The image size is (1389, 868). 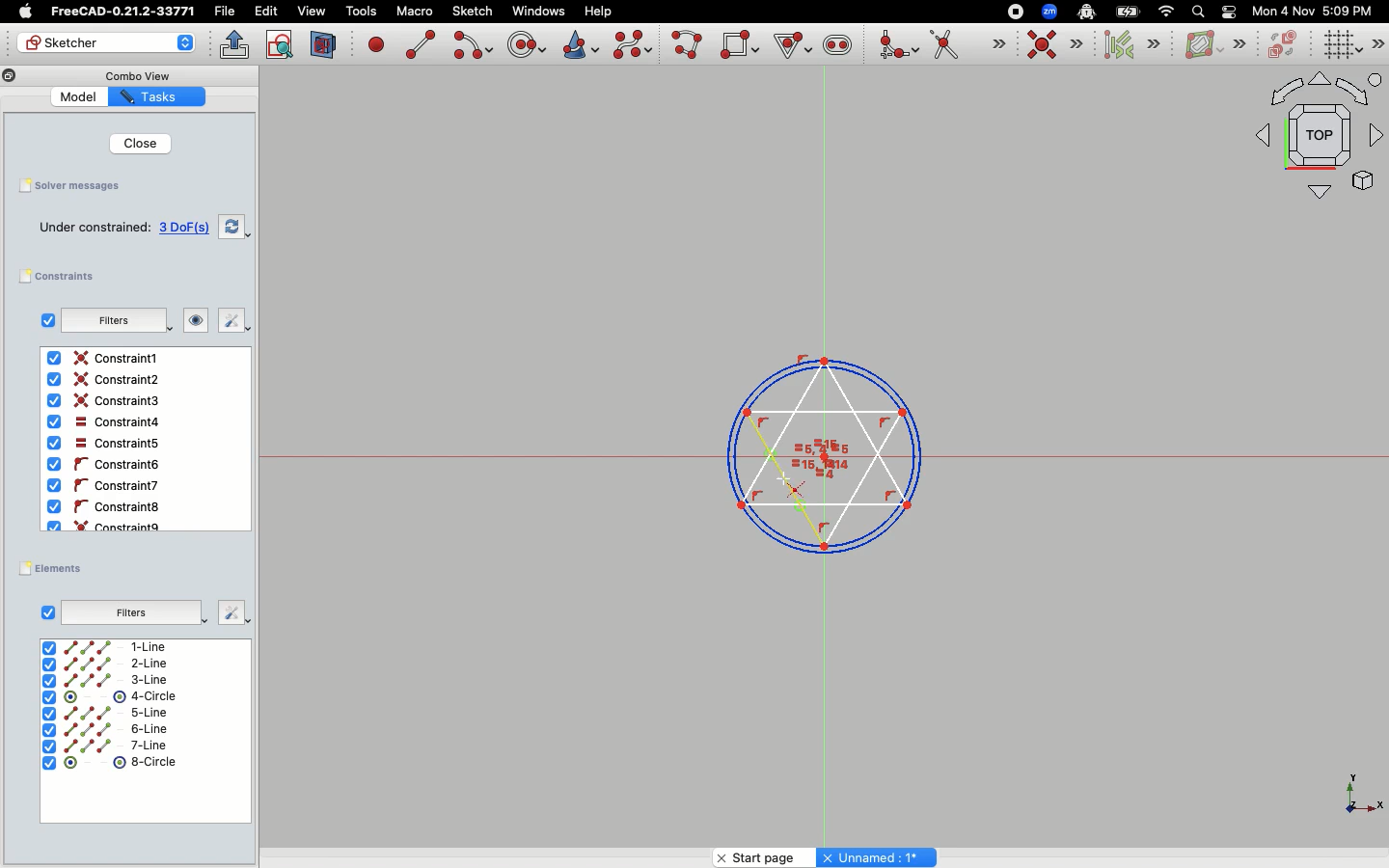 I want to click on Constraint1, so click(x=106, y=359).